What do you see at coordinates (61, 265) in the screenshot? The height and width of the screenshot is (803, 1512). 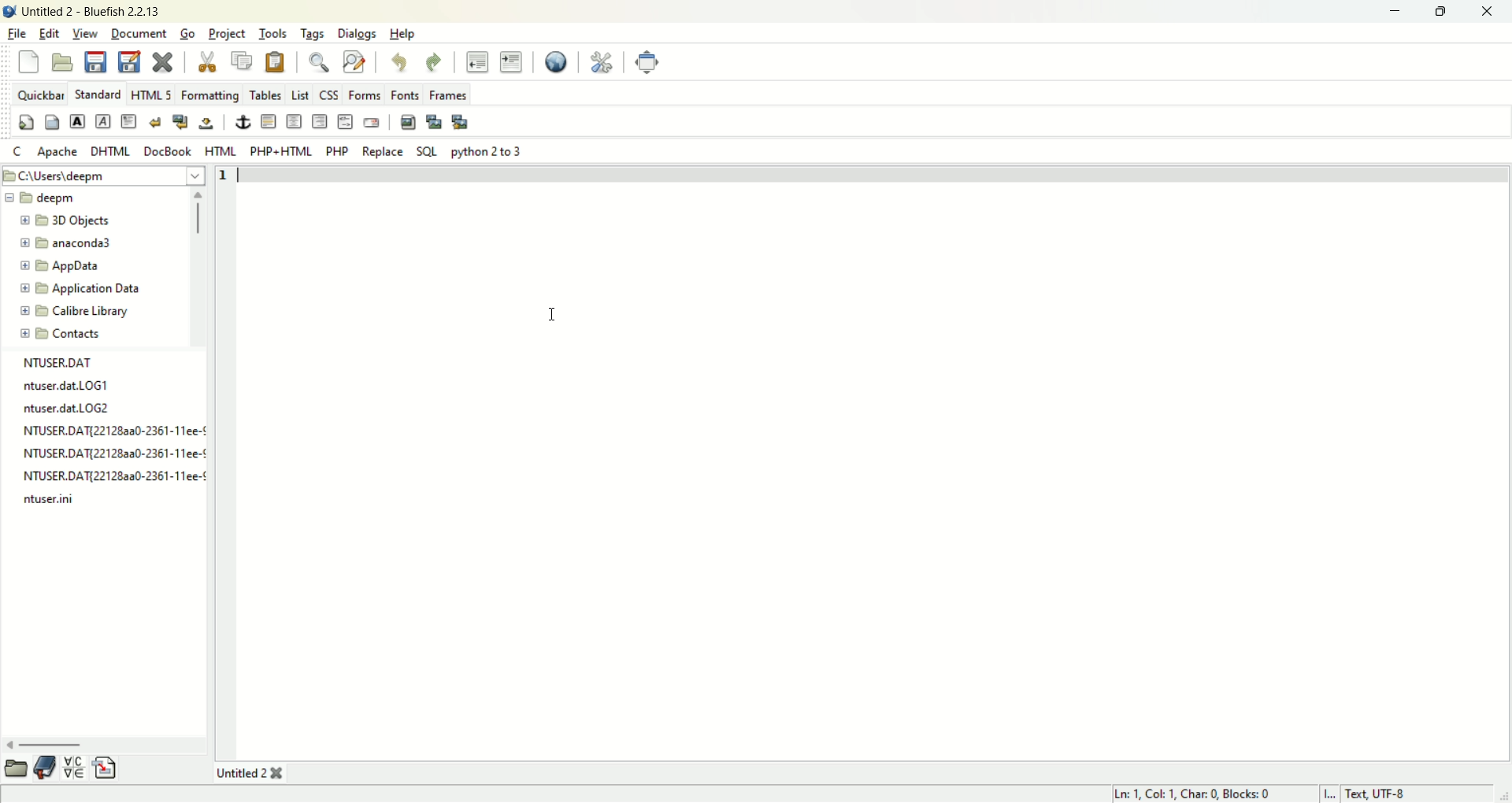 I see `app` at bounding box center [61, 265].